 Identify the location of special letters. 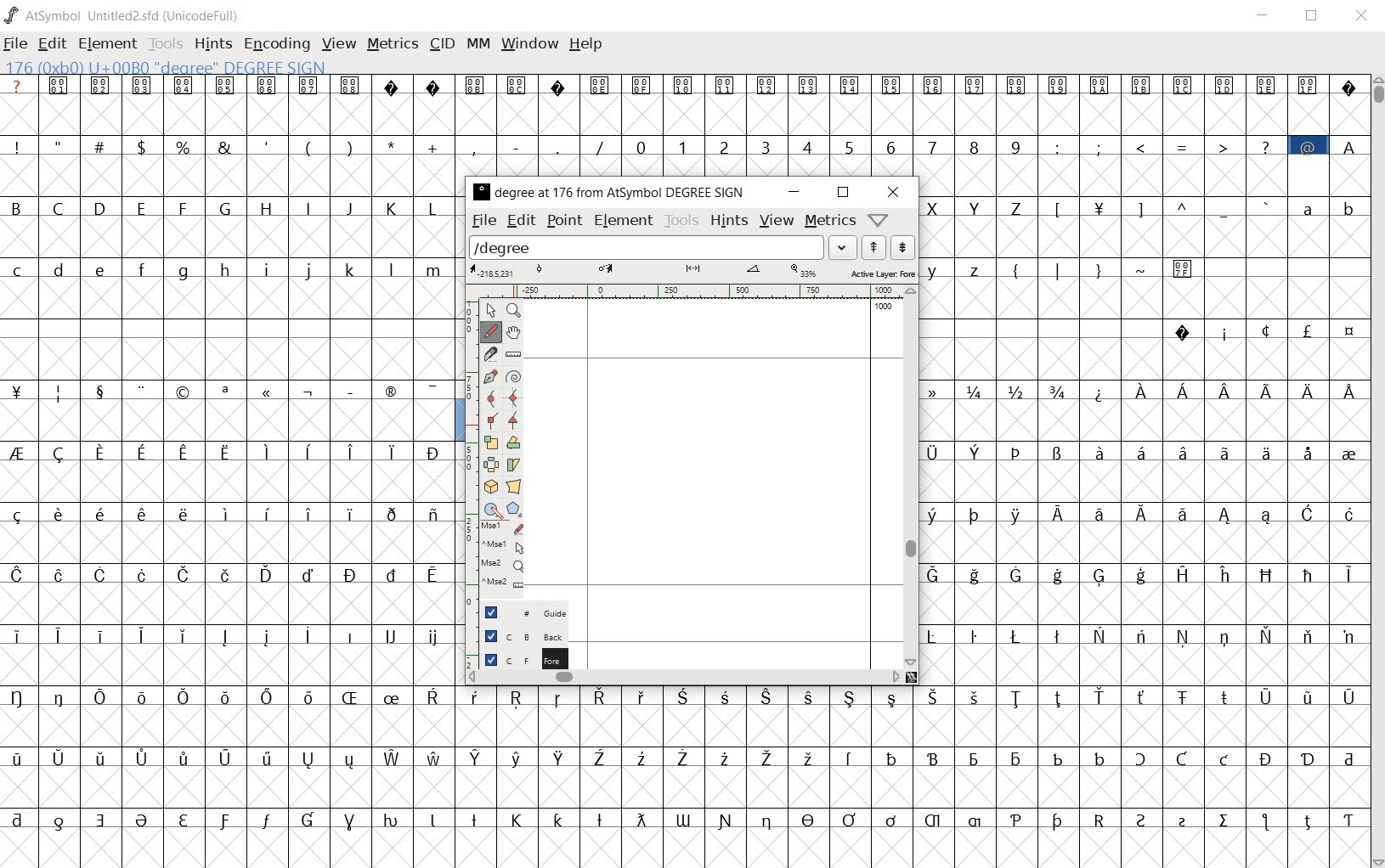
(1144, 633).